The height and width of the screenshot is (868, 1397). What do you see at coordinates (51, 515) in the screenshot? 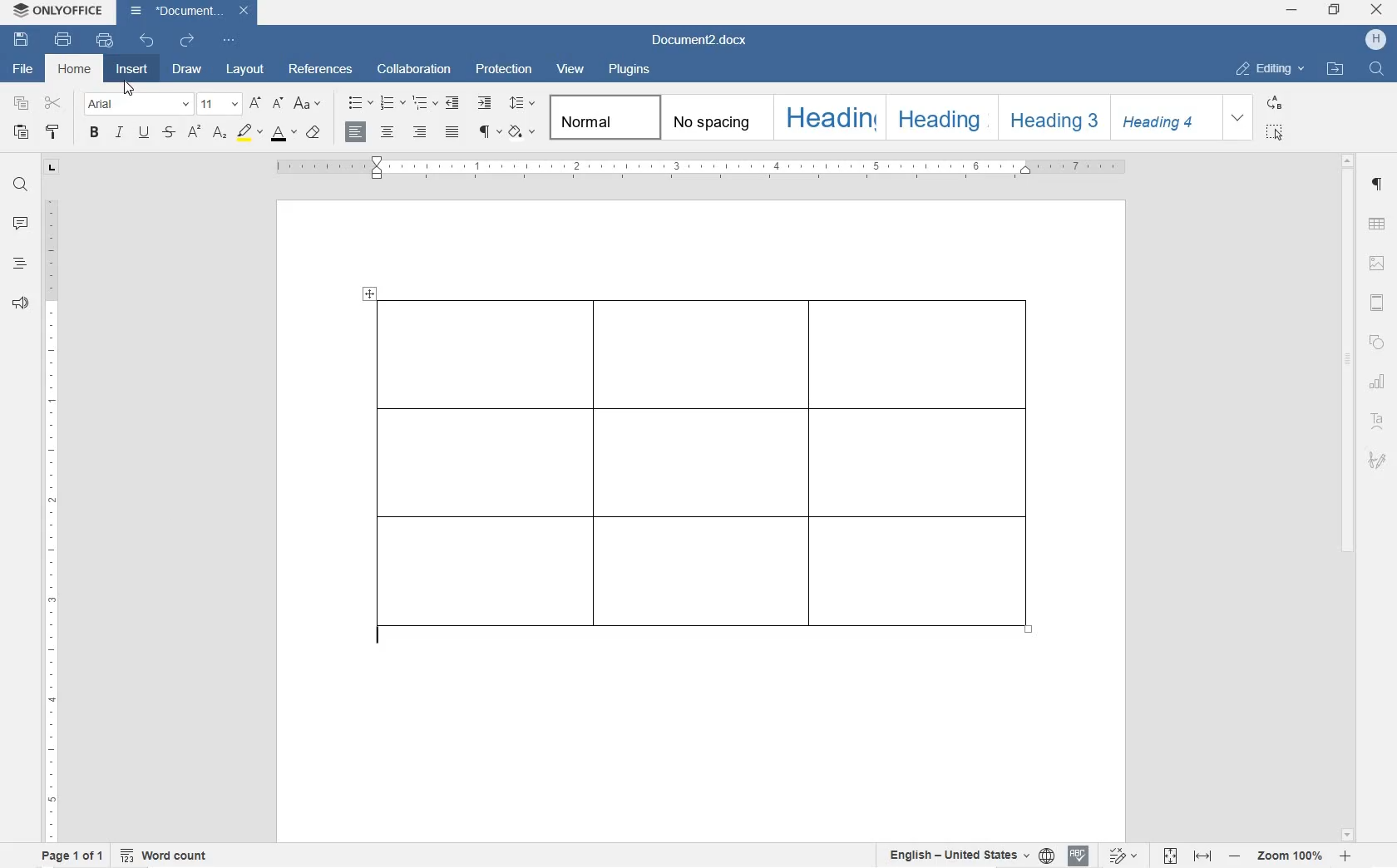
I see `ruler` at bounding box center [51, 515].